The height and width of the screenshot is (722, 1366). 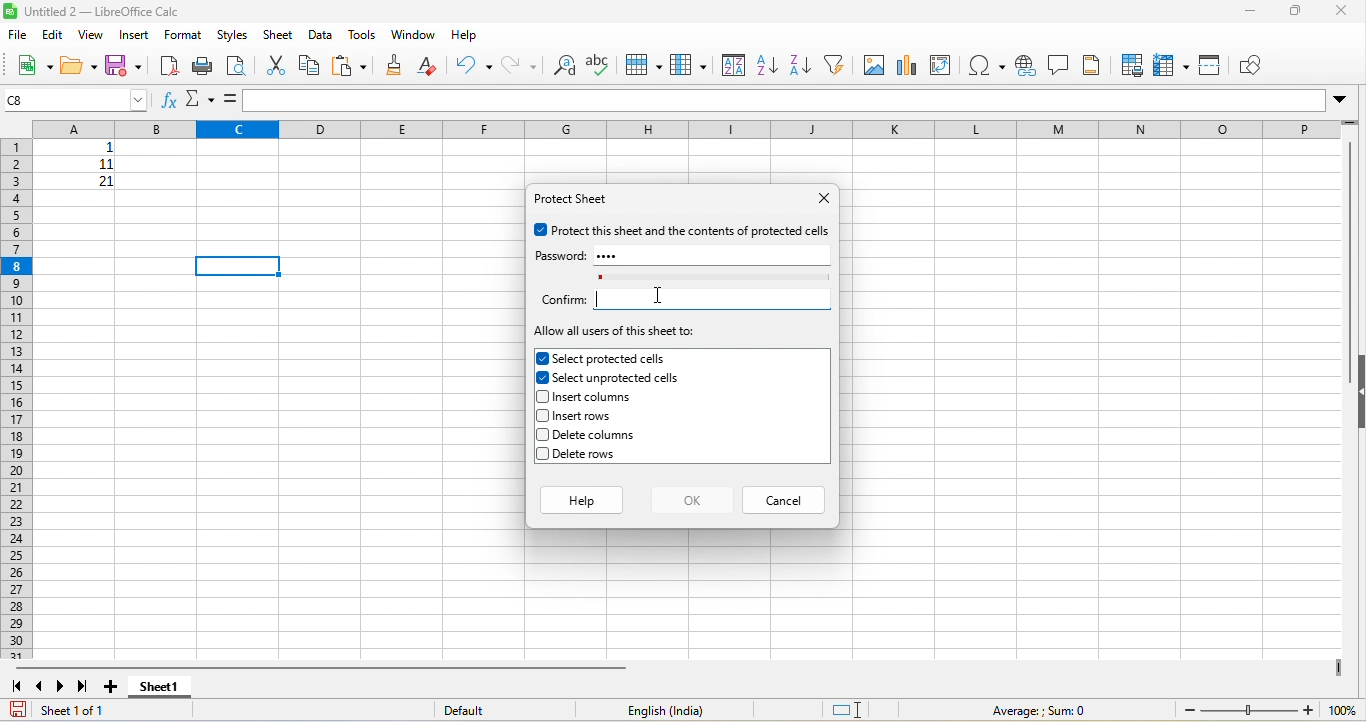 I want to click on insert columns, so click(x=608, y=395).